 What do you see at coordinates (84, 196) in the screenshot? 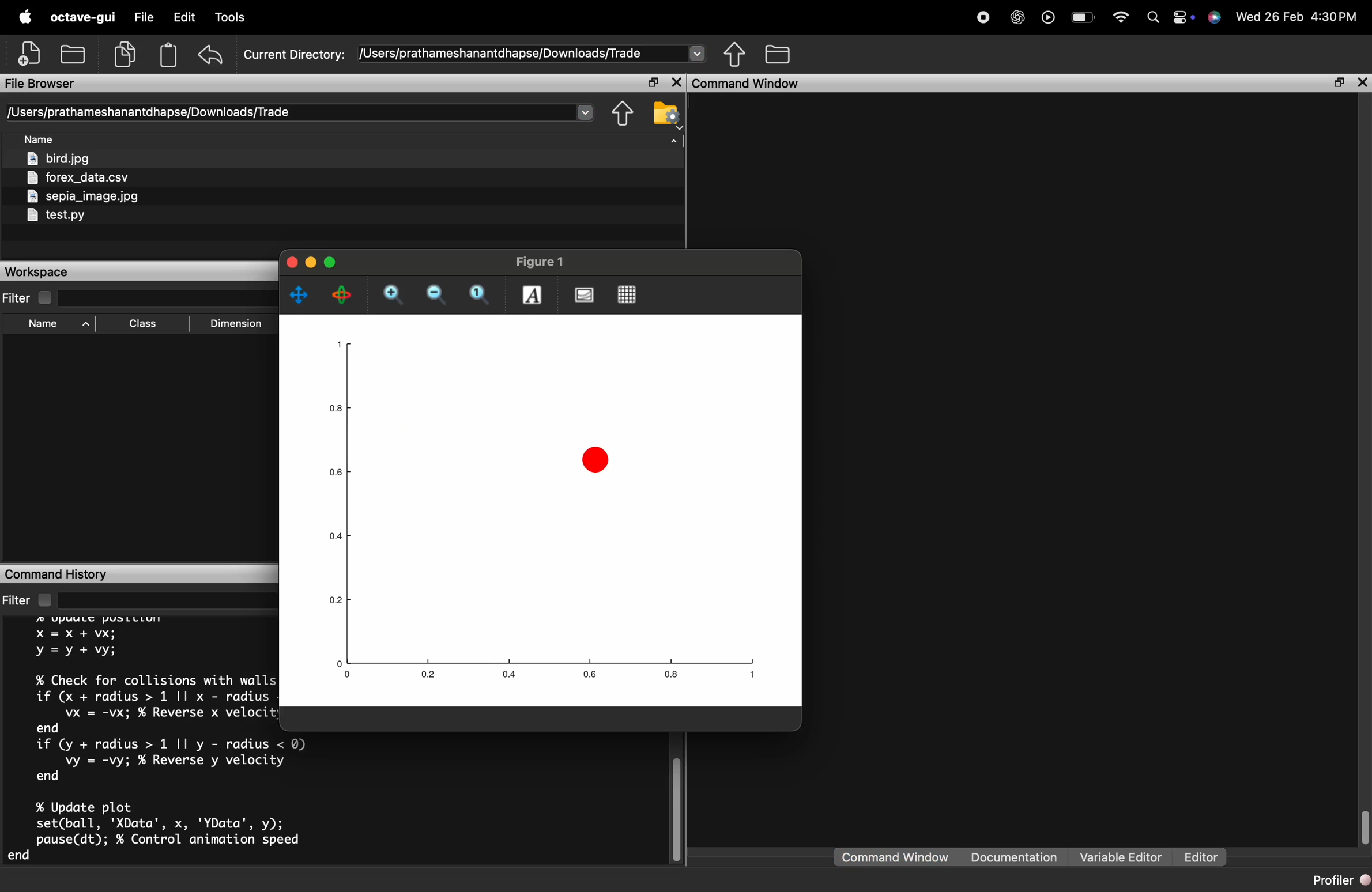
I see ` sepia_image.jpg` at bounding box center [84, 196].